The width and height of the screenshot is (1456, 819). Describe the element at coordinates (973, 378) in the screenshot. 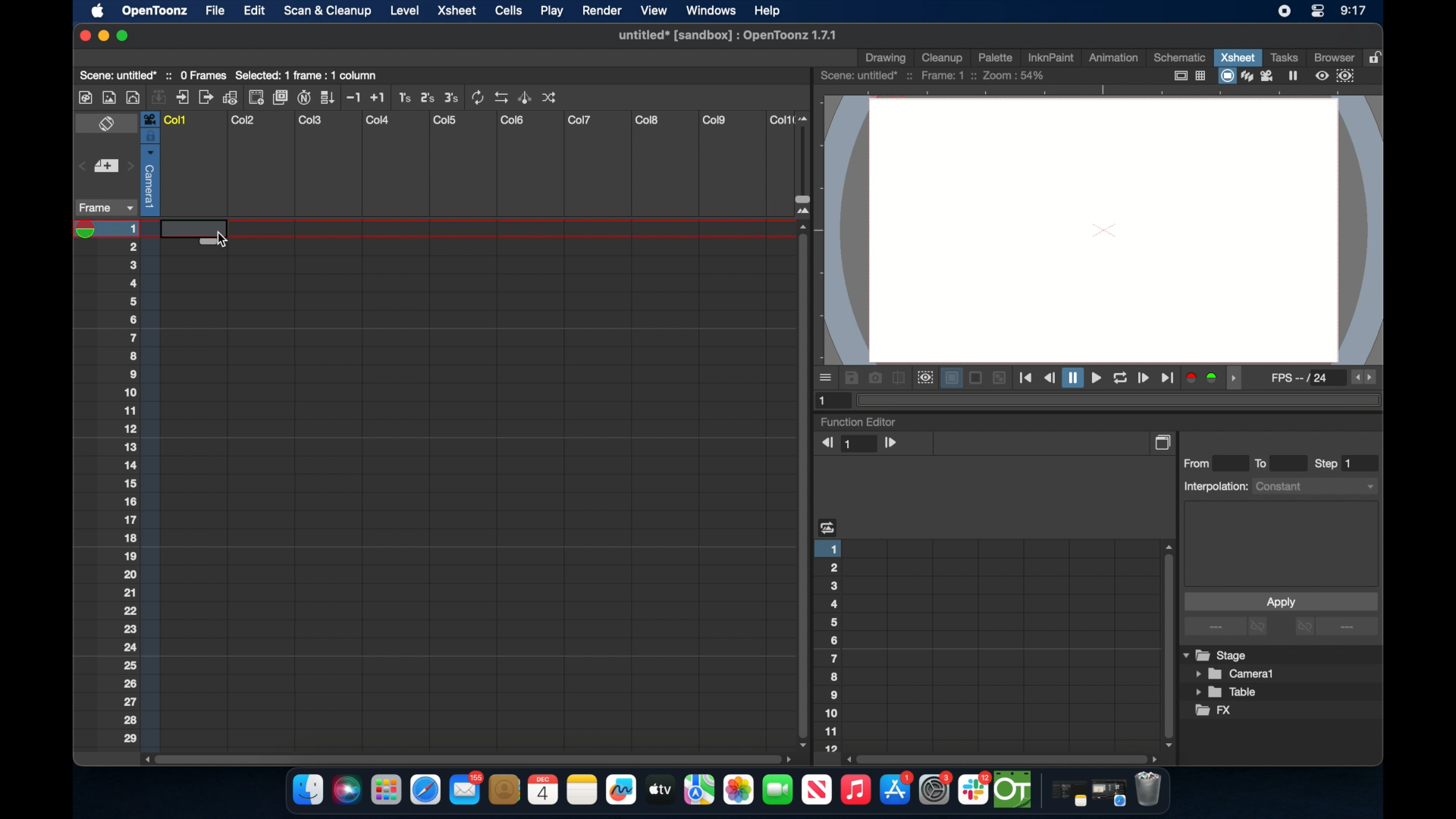

I see `backgrounds` at that location.